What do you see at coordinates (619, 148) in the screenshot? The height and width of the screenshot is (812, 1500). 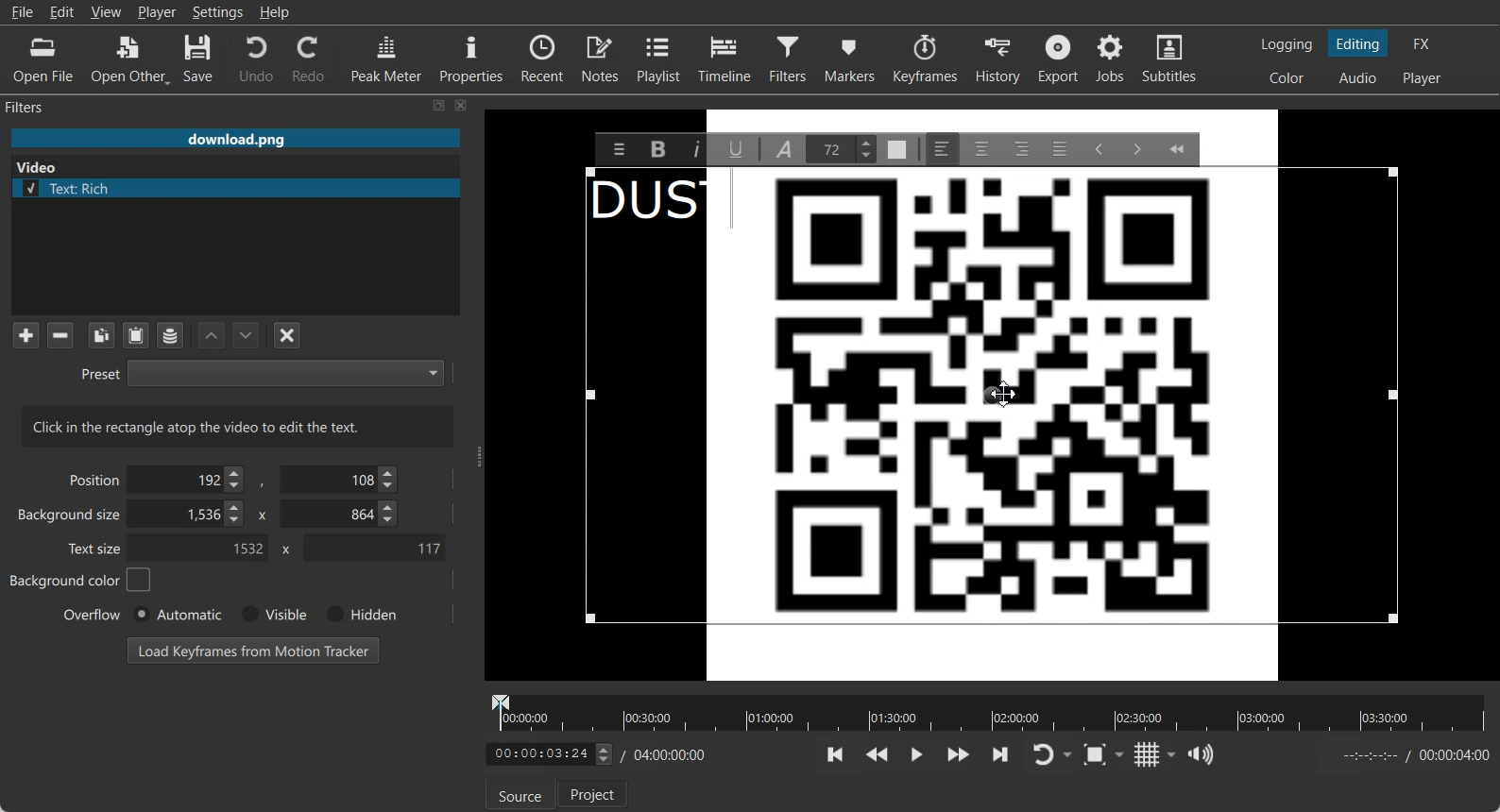 I see `Menu` at bounding box center [619, 148].